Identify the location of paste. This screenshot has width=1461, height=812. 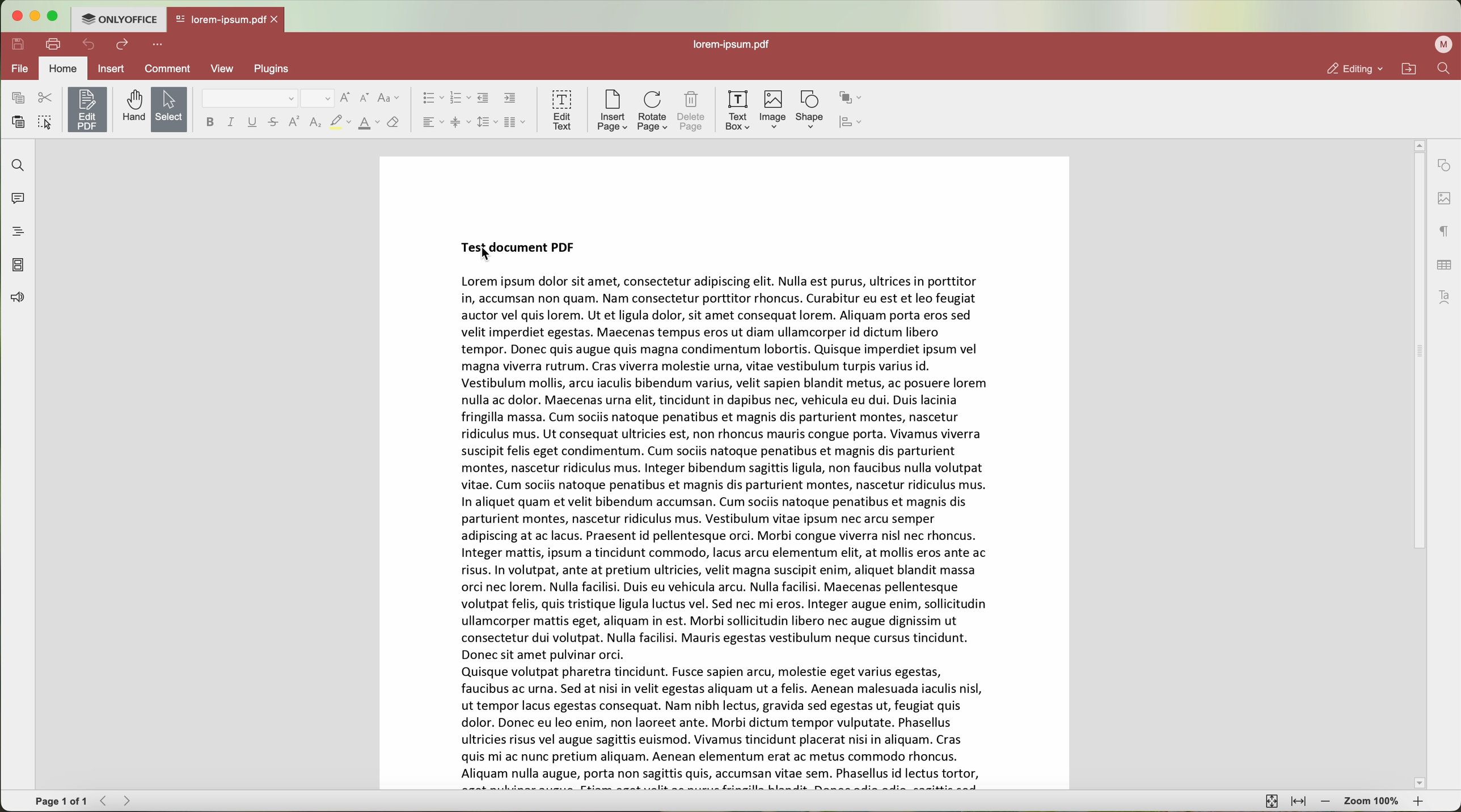
(19, 124).